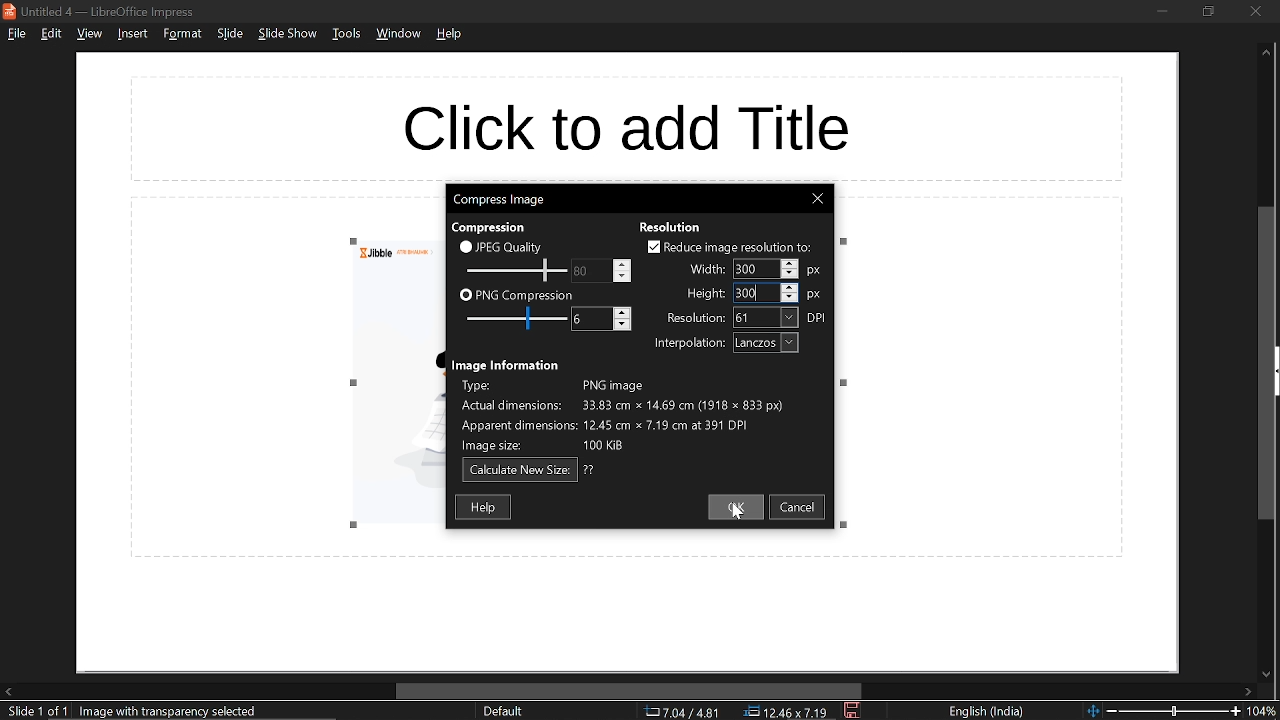 The image size is (1280, 720). I want to click on text, so click(695, 317).